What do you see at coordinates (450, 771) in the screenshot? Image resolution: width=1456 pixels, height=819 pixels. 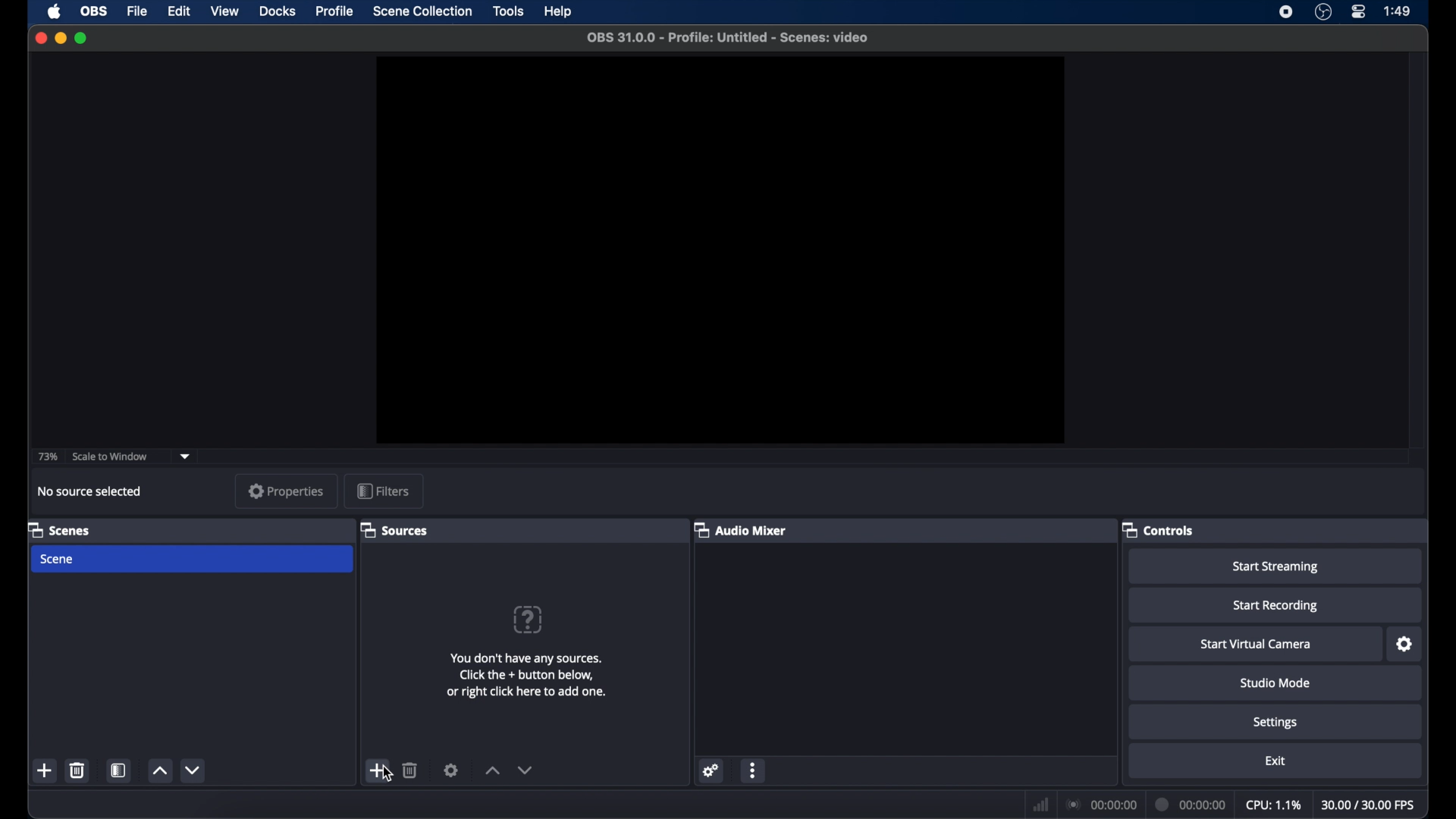 I see `settings` at bounding box center [450, 771].